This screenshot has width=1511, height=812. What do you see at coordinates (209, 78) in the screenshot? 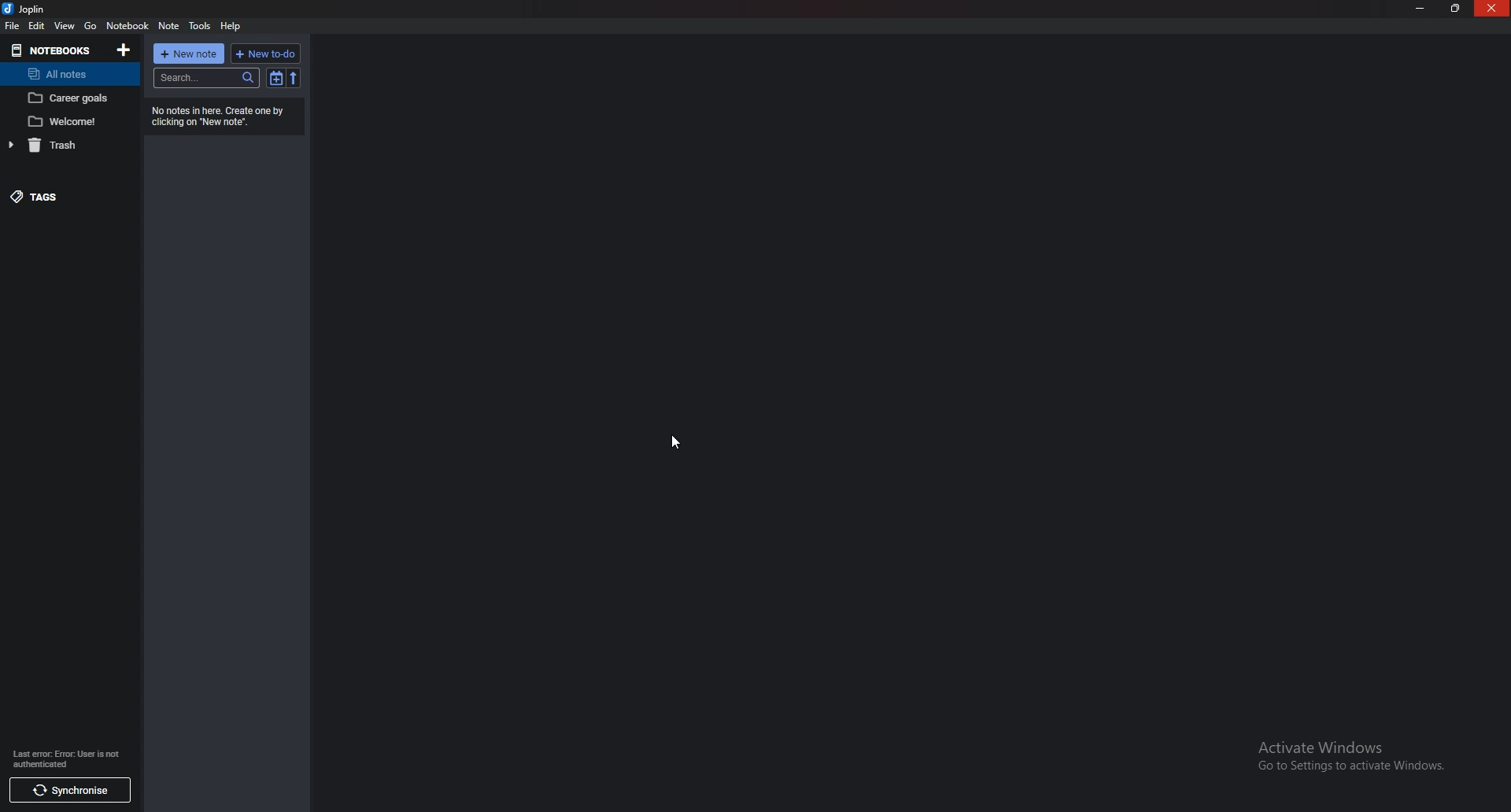
I see `search` at bounding box center [209, 78].